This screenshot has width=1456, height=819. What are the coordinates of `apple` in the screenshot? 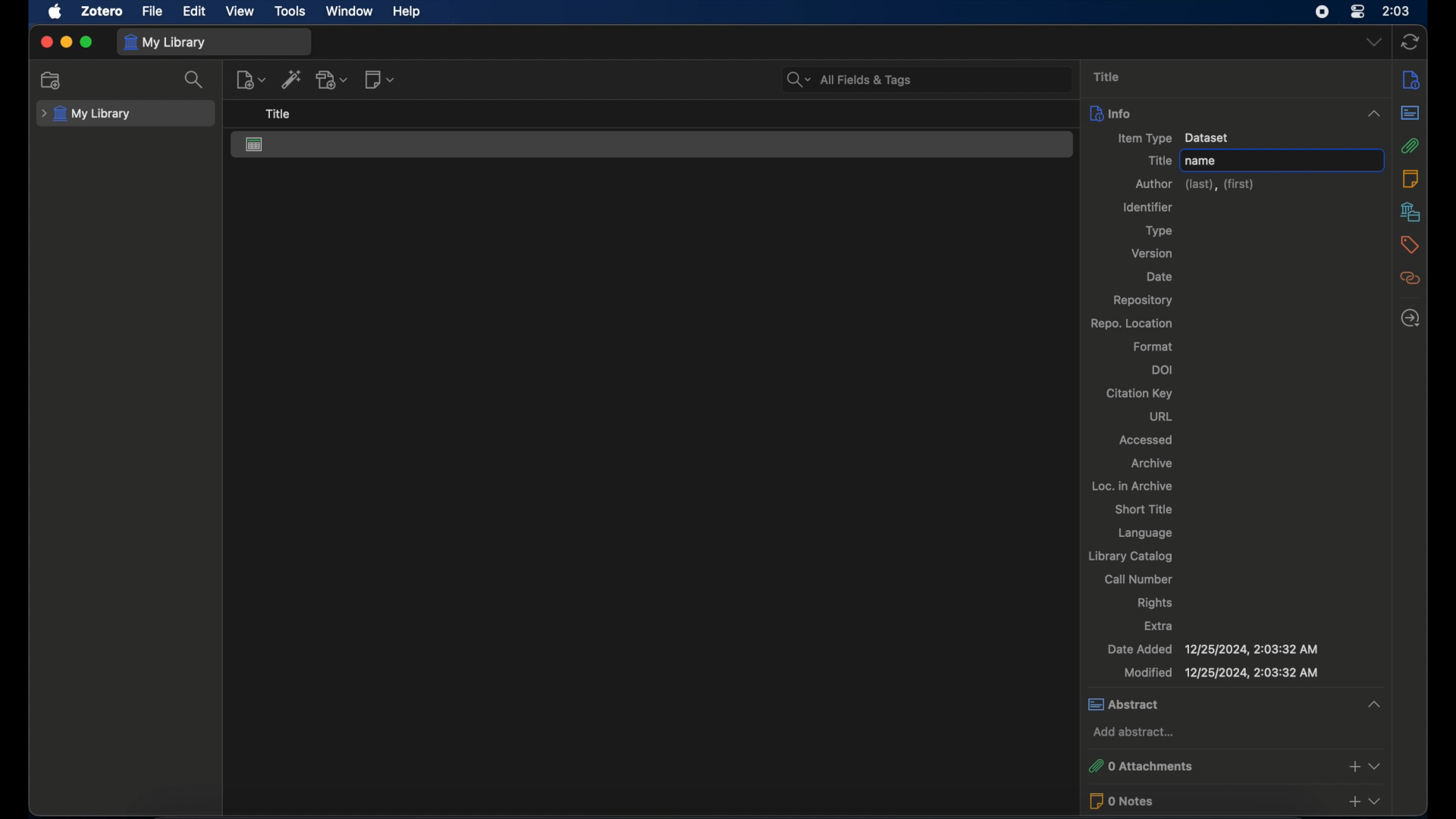 It's located at (55, 12).